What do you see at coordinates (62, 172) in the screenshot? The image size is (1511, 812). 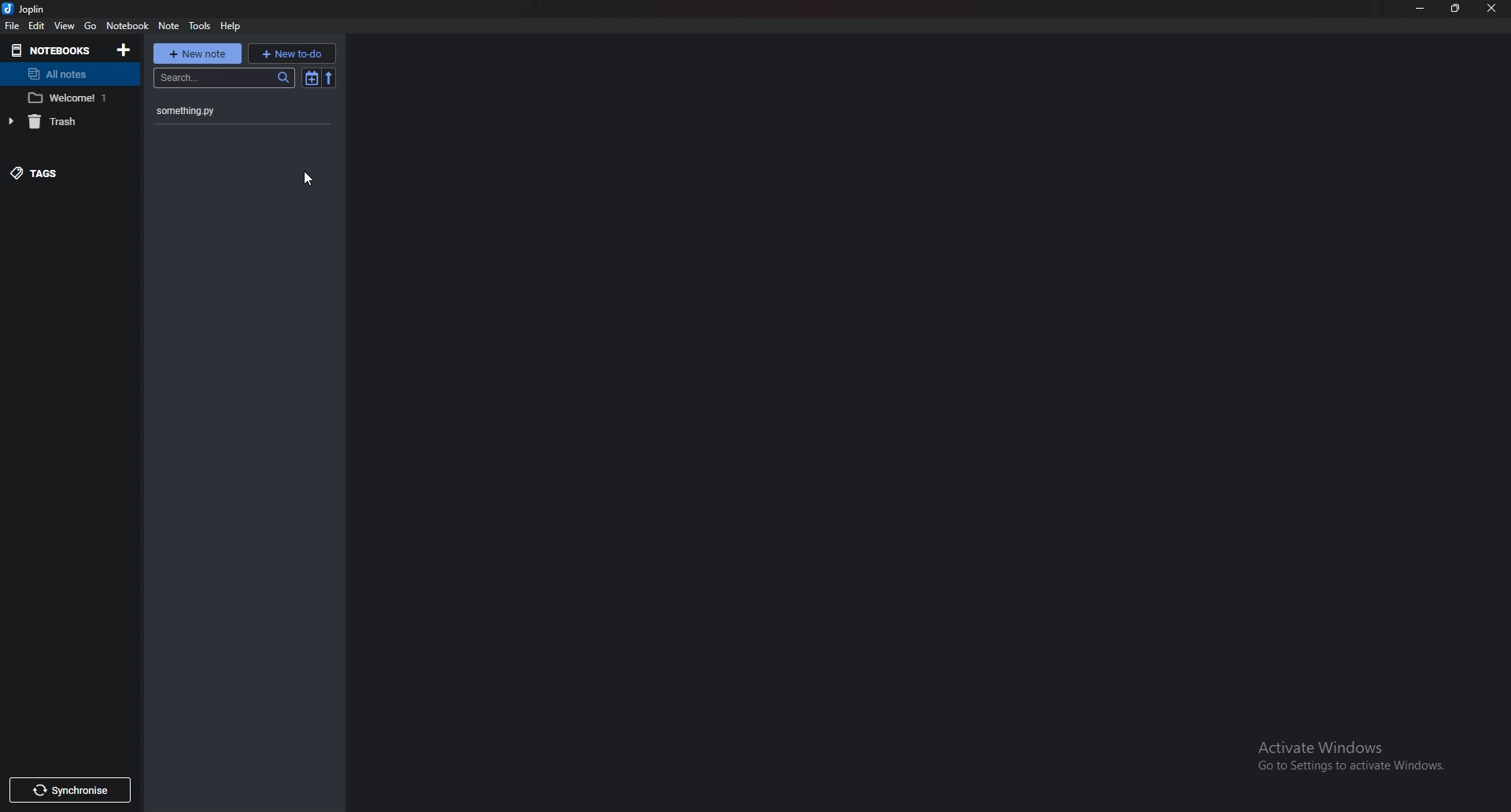 I see `tags` at bounding box center [62, 172].